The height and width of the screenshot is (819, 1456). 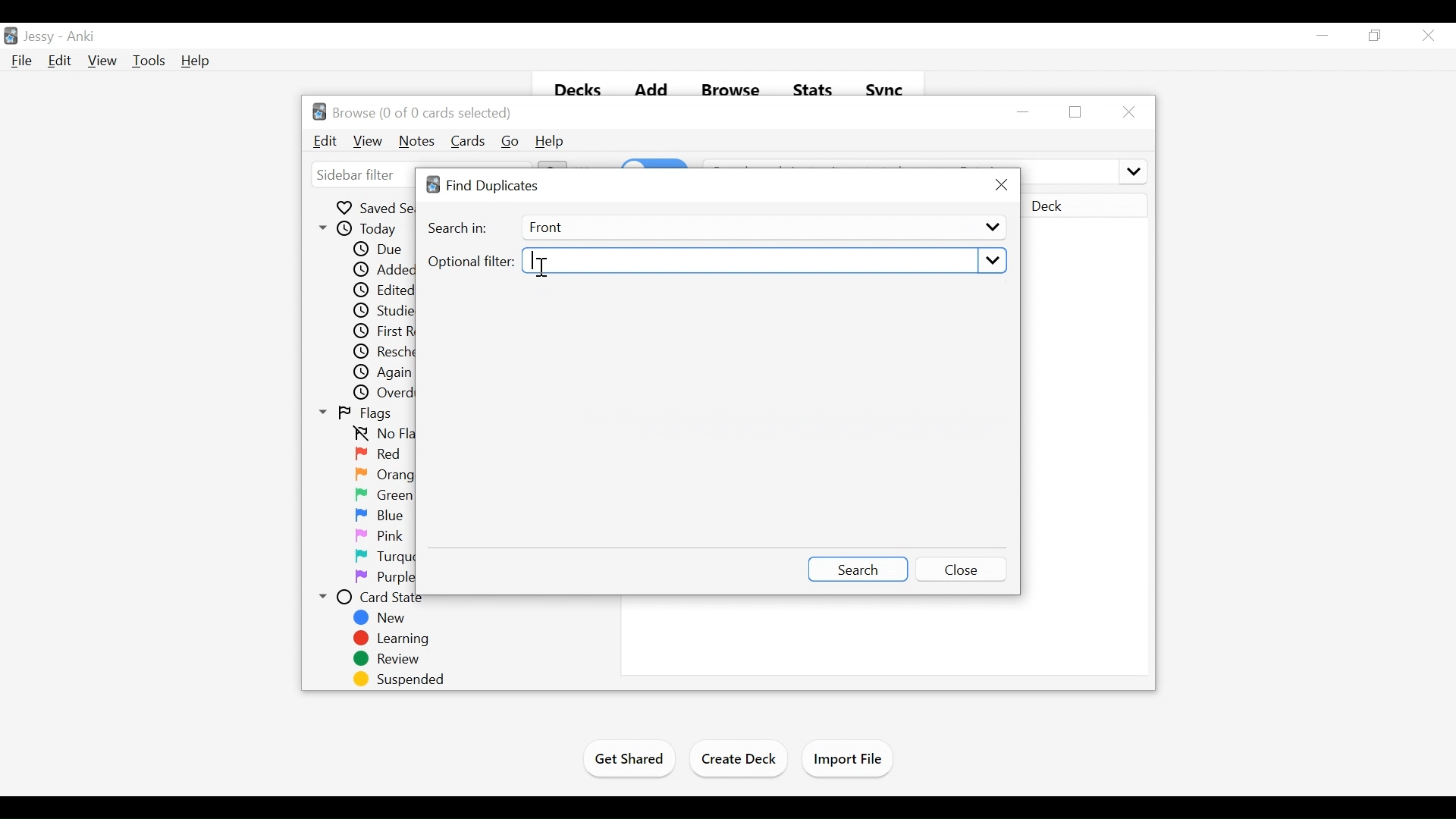 I want to click on Suspended, so click(x=395, y=679).